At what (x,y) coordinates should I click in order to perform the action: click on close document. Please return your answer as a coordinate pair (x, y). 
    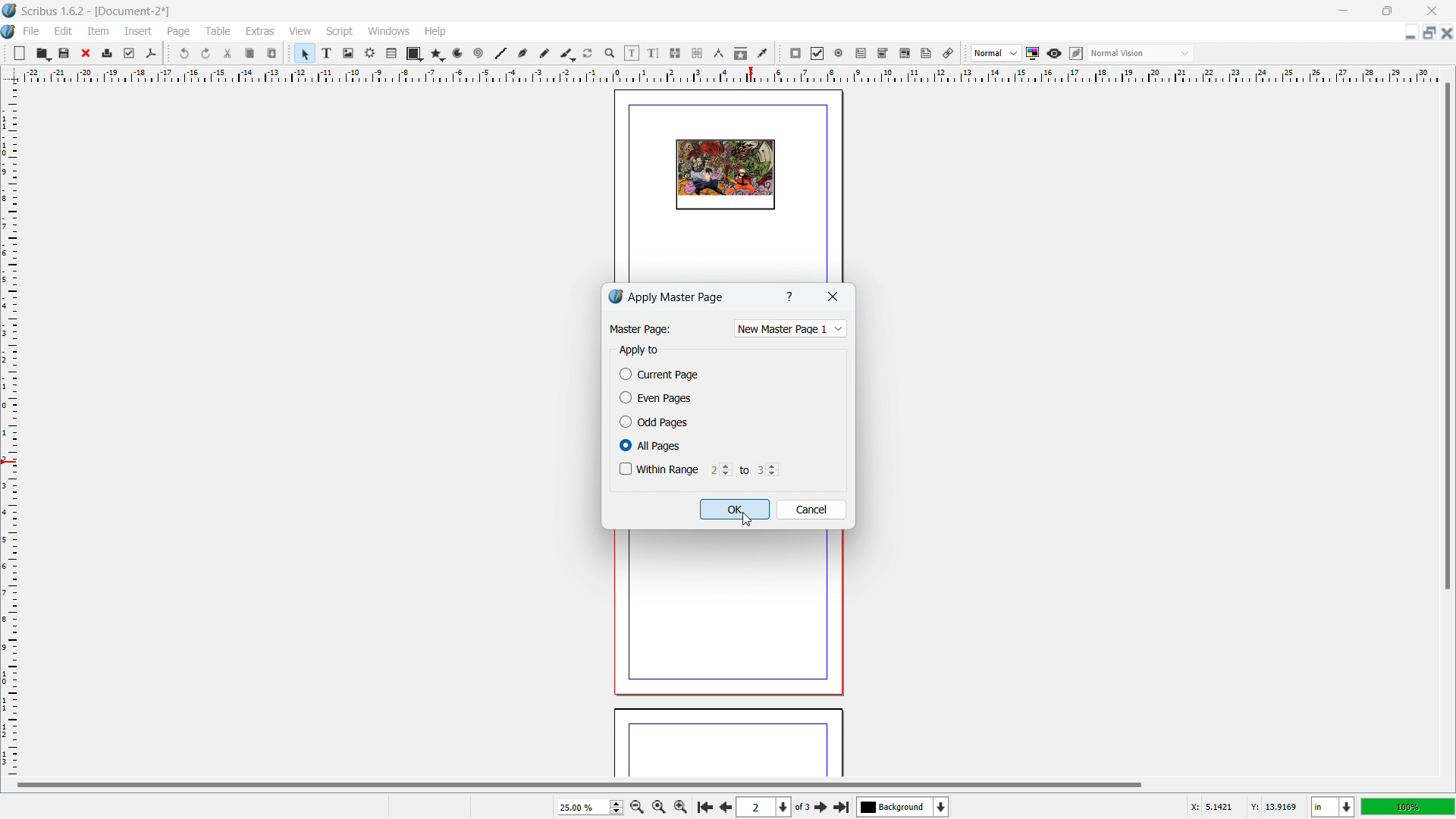
    Looking at the image, I should click on (1447, 33).